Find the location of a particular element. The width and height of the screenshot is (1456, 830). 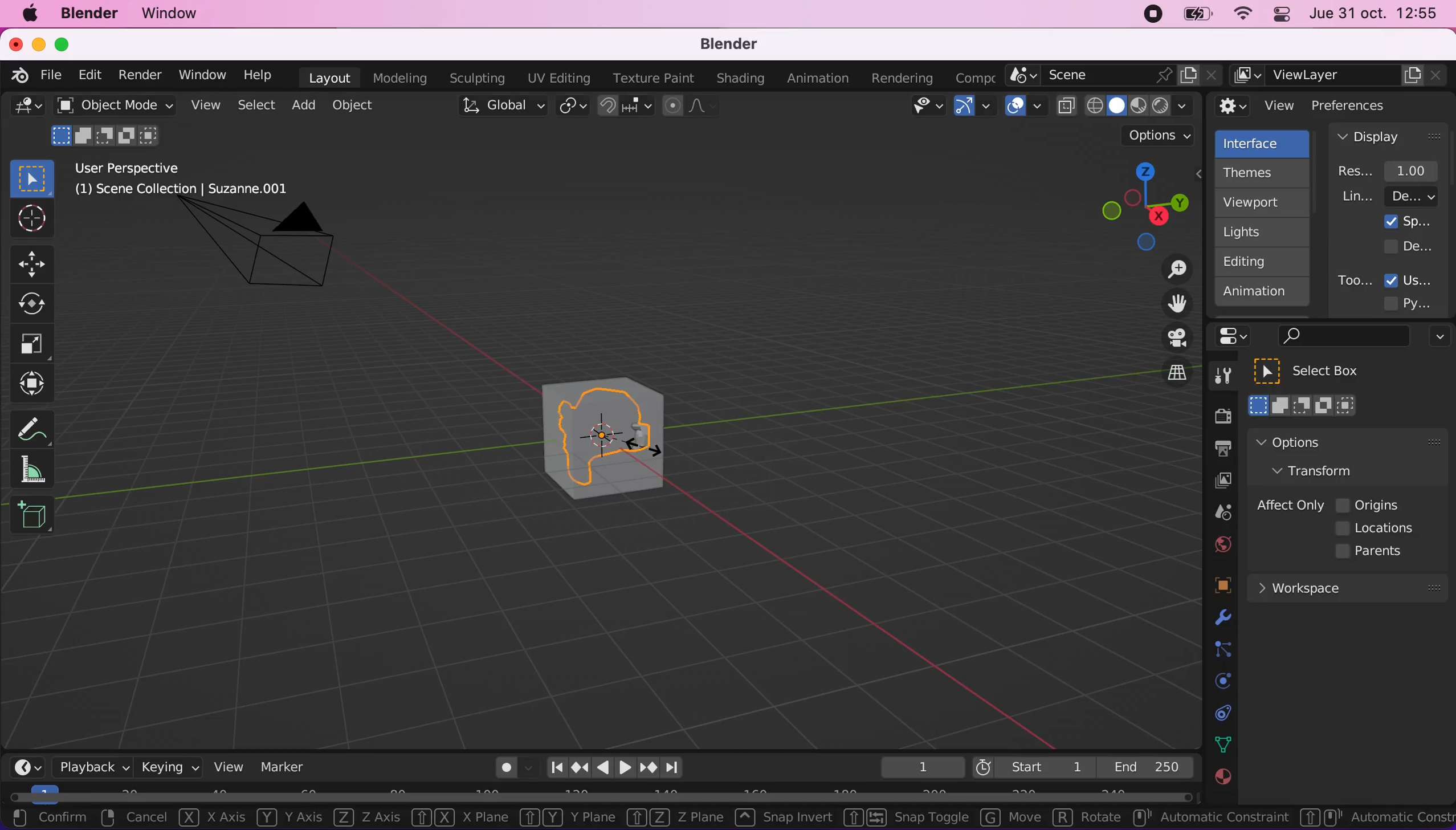

themes is located at coordinates (1261, 173).